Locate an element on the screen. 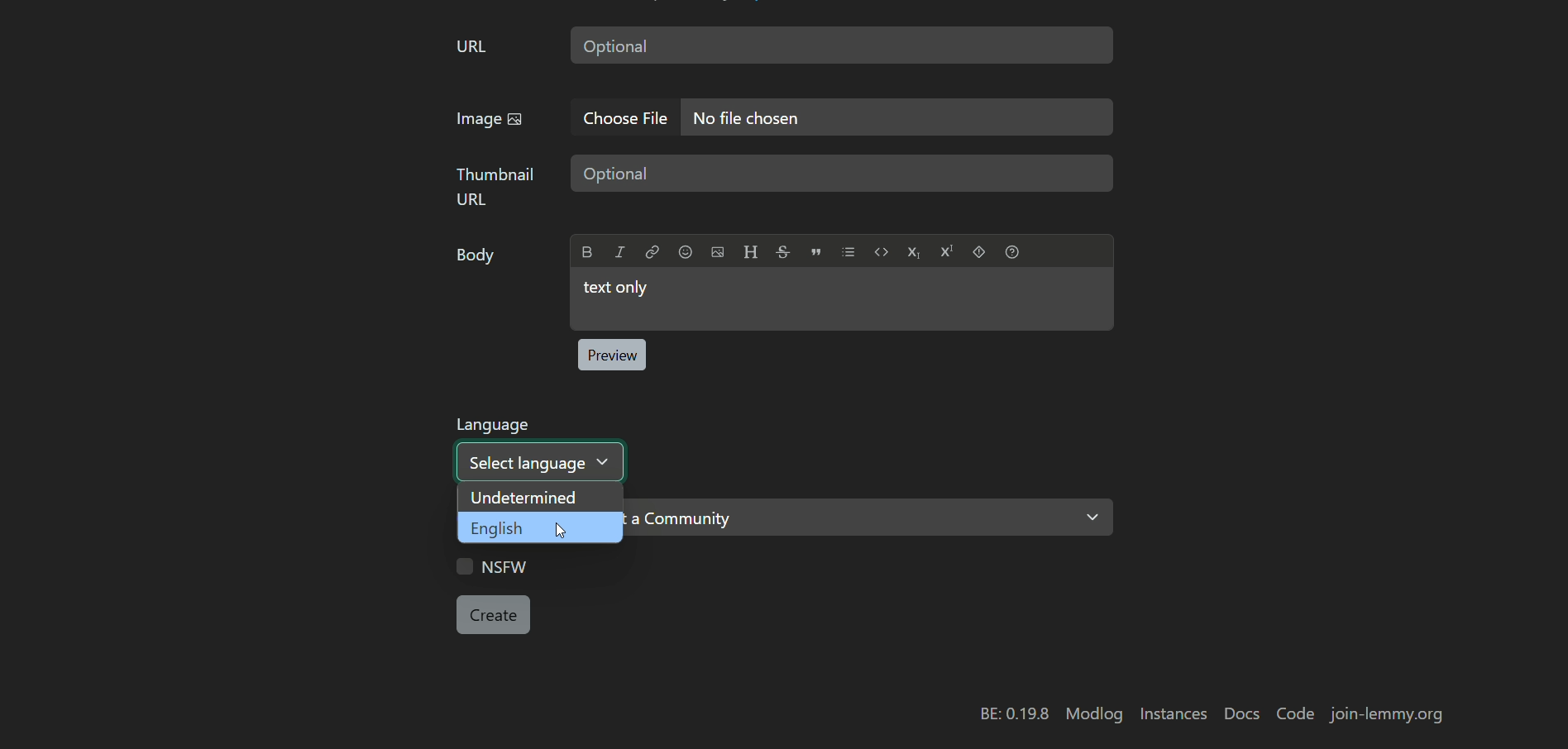 The width and height of the screenshot is (1568, 749). Header is located at coordinates (750, 251).